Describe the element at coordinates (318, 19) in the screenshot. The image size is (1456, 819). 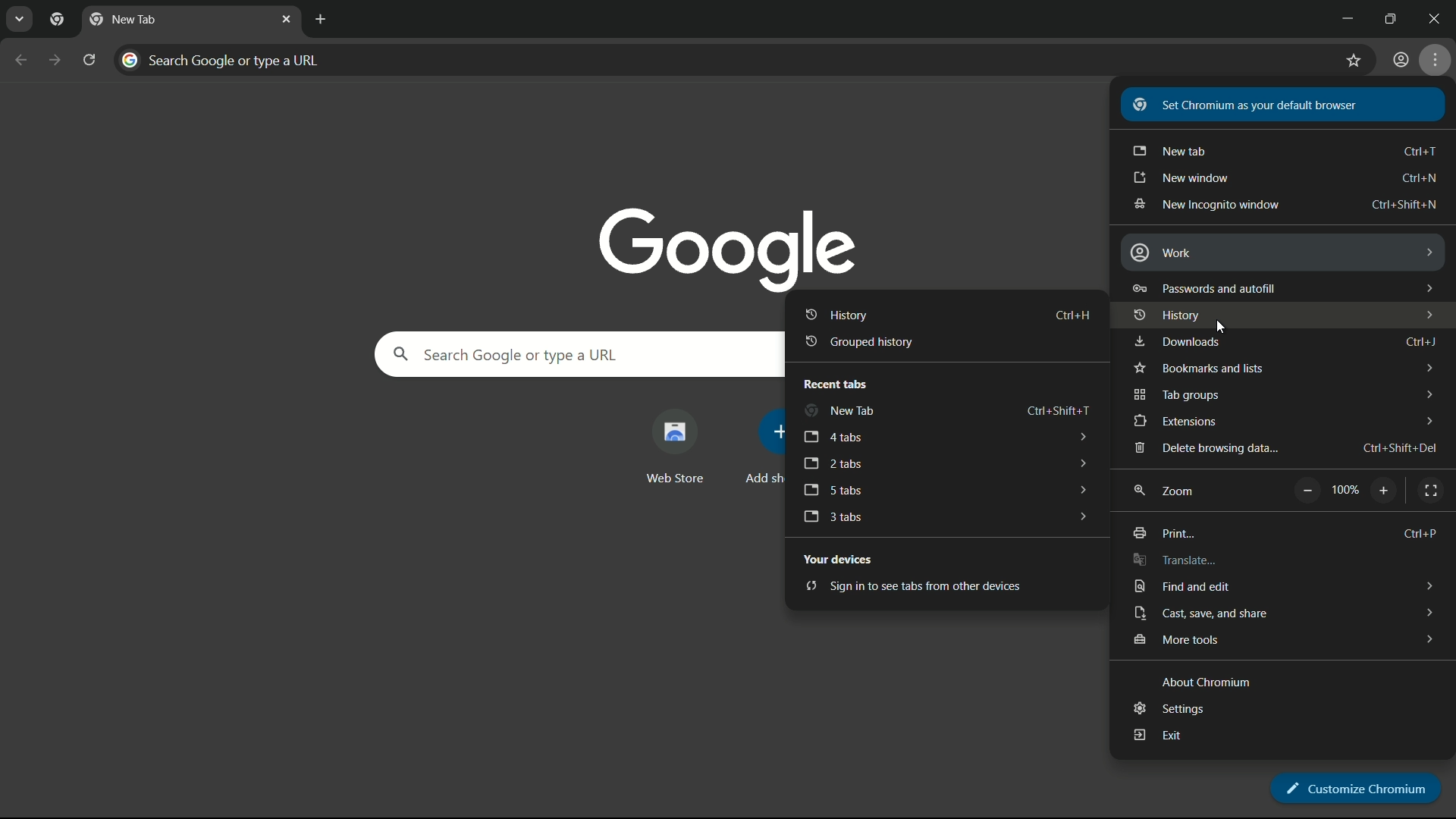
I see `new tab` at that location.